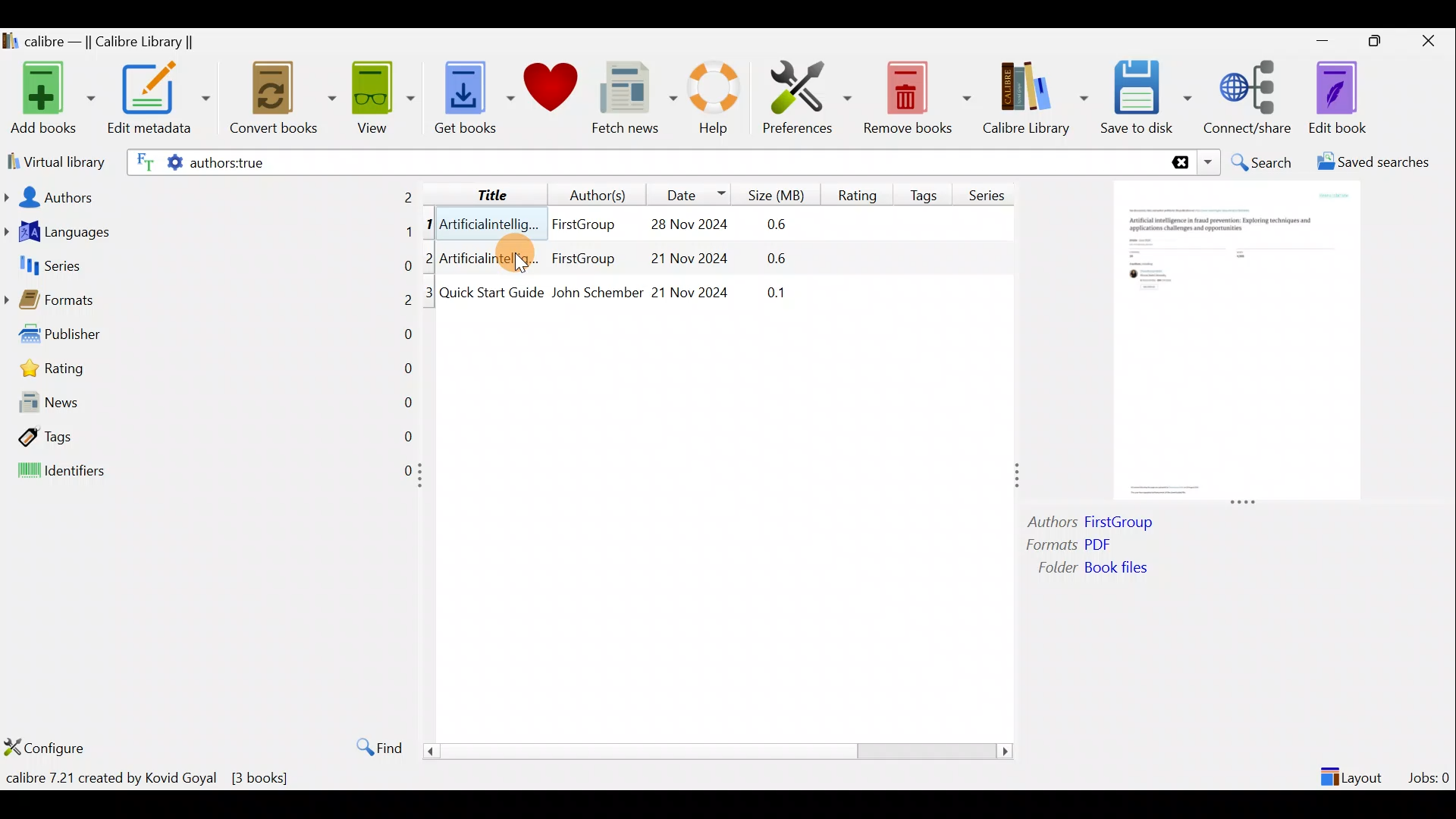 The height and width of the screenshot is (819, 1456). I want to click on Artificialintellig..., so click(491, 223).